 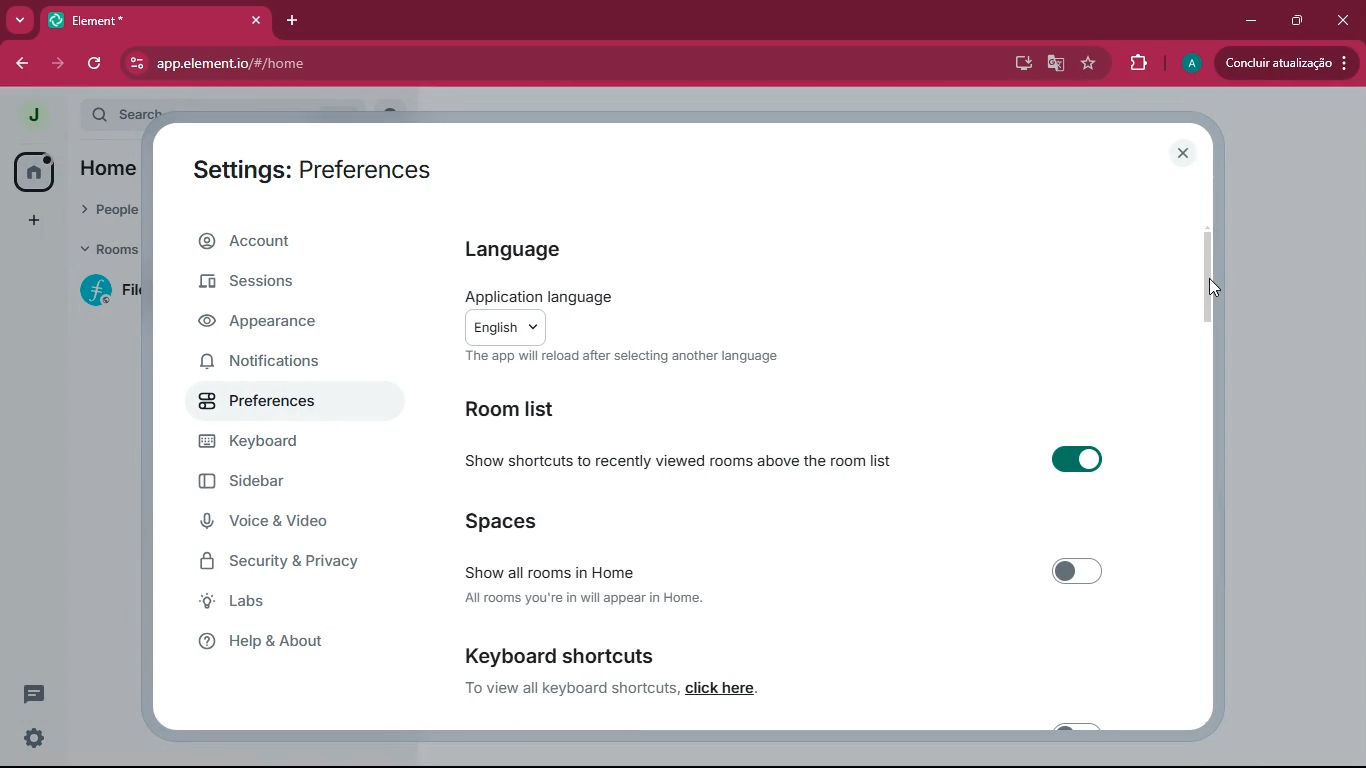 What do you see at coordinates (1299, 21) in the screenshot?
I see `maximize` at bounding box center [1299, 21].